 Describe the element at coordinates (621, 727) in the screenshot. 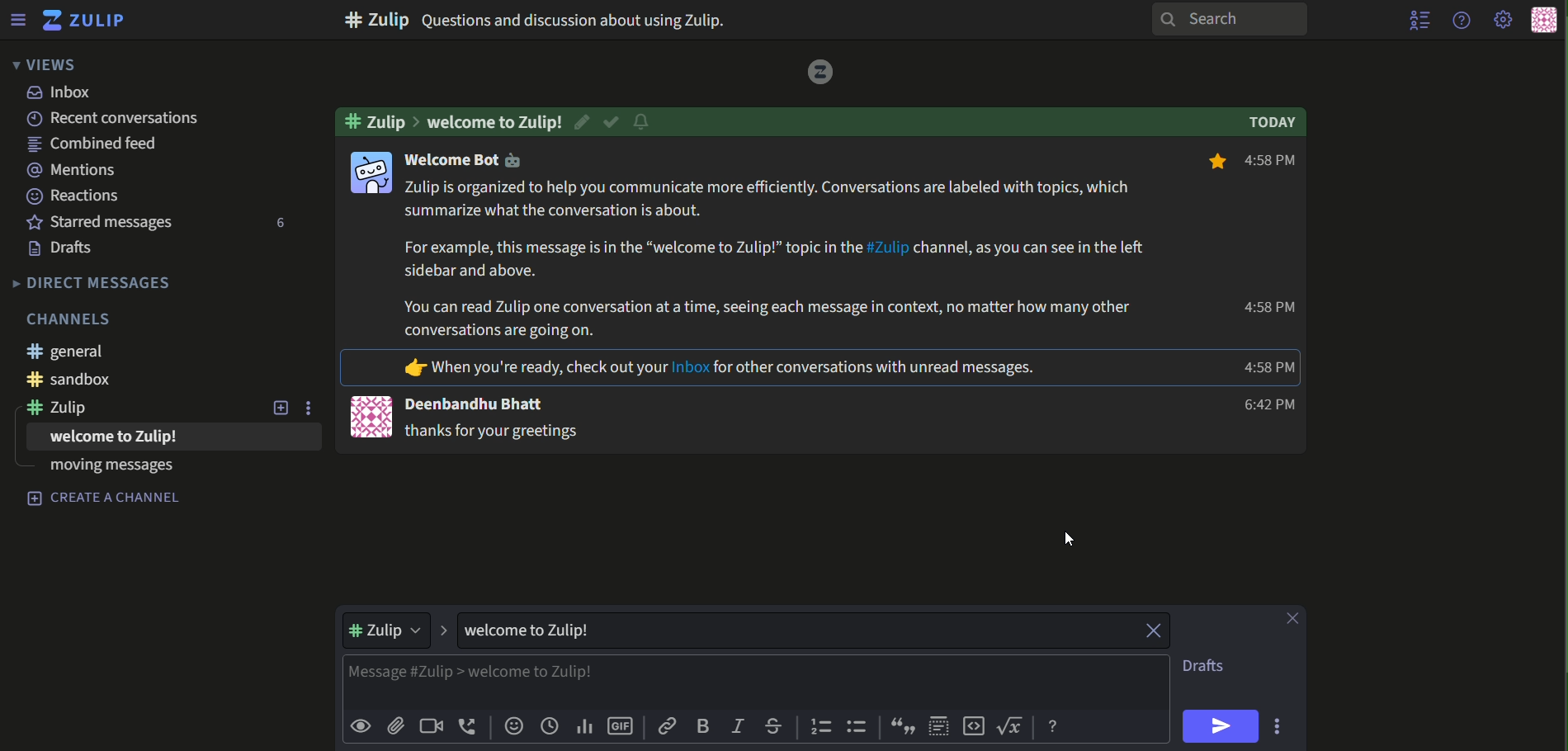

I see `add gif` at that location.